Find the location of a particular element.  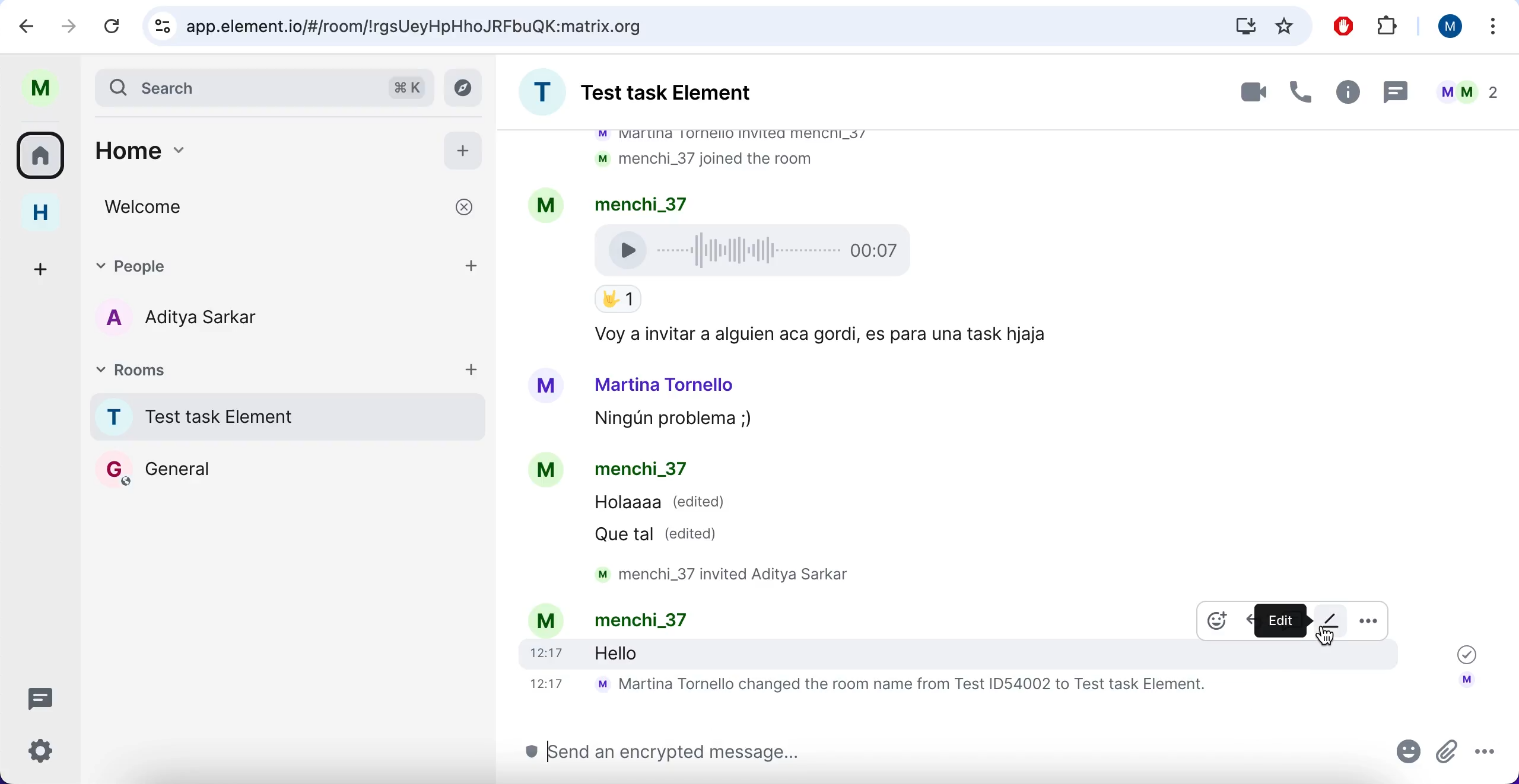

create a space is located at coordinates (34, 264).